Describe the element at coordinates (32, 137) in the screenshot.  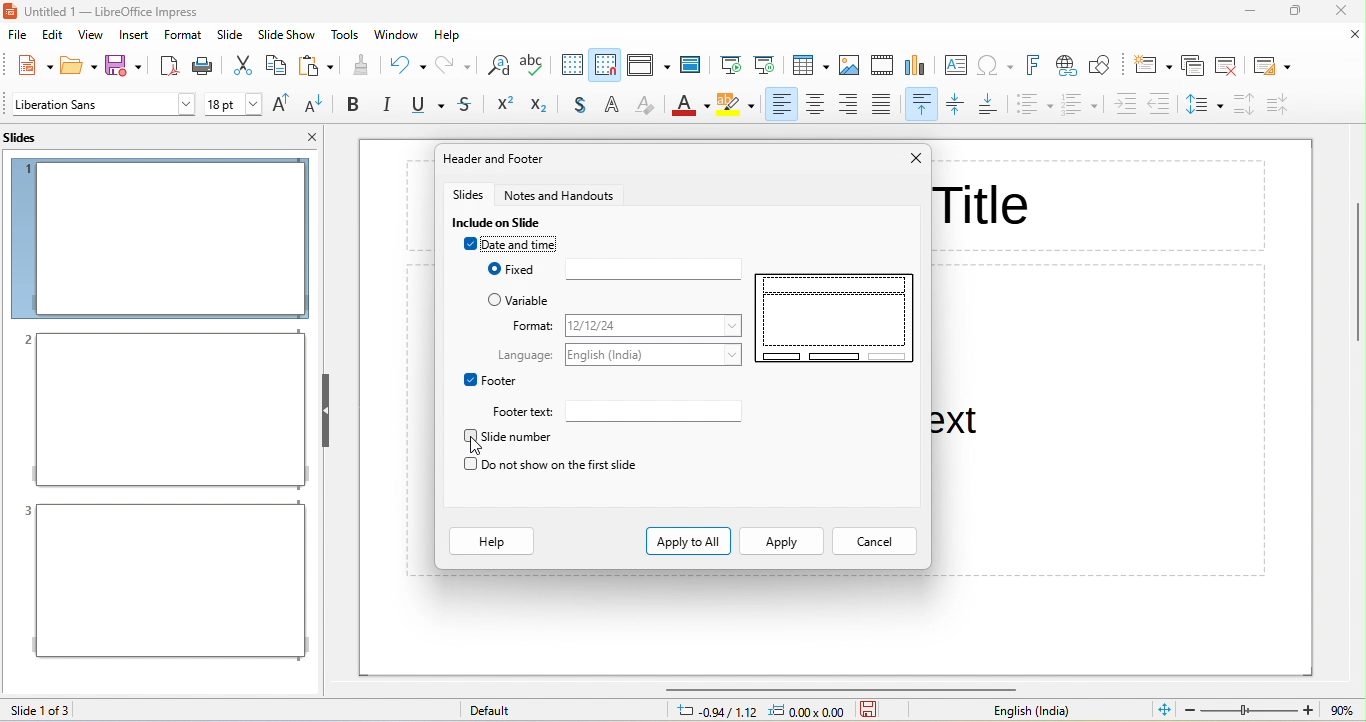
I see `slides` at that location.